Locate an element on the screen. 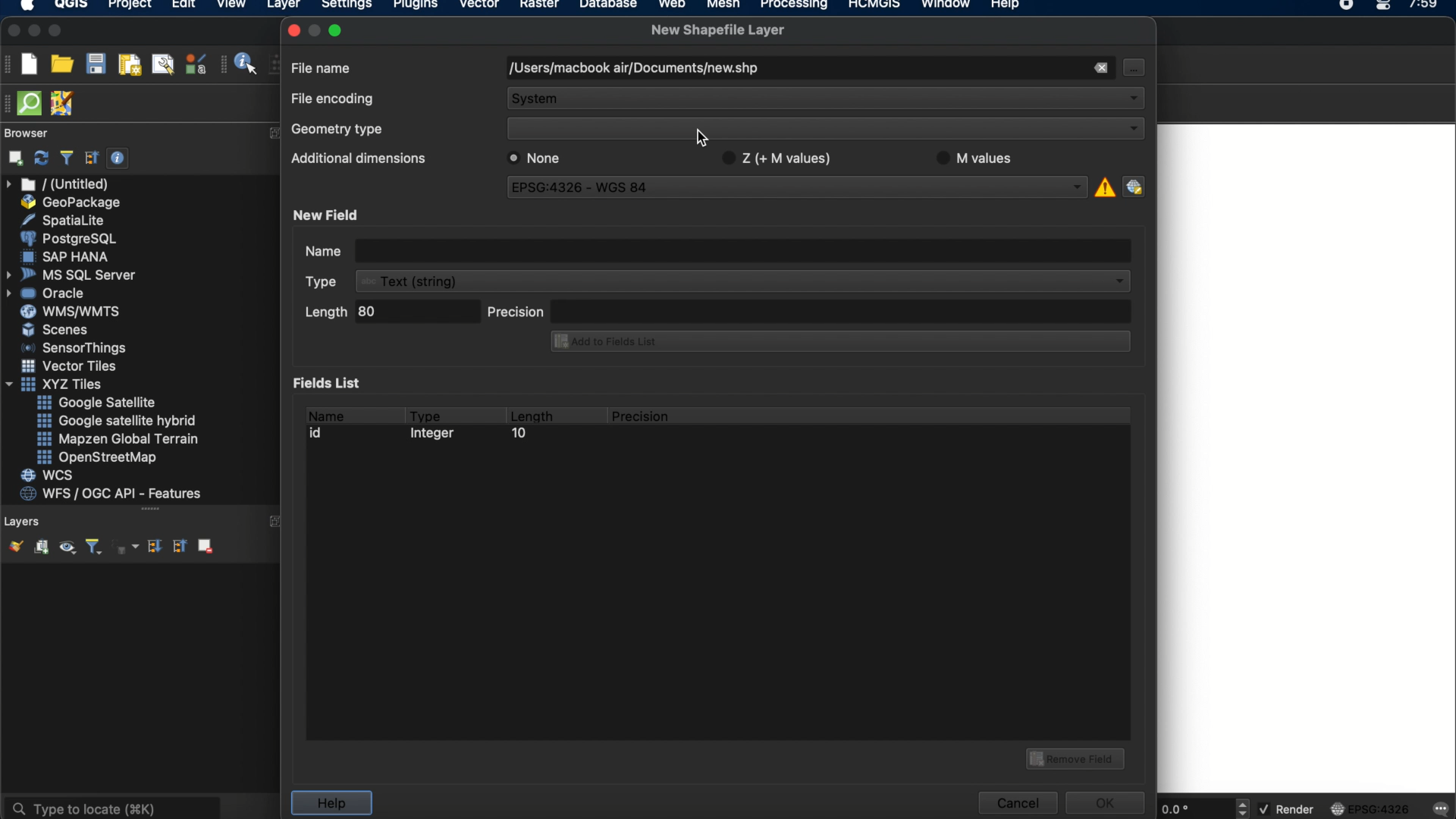  name is located at coordinates (325, 413).